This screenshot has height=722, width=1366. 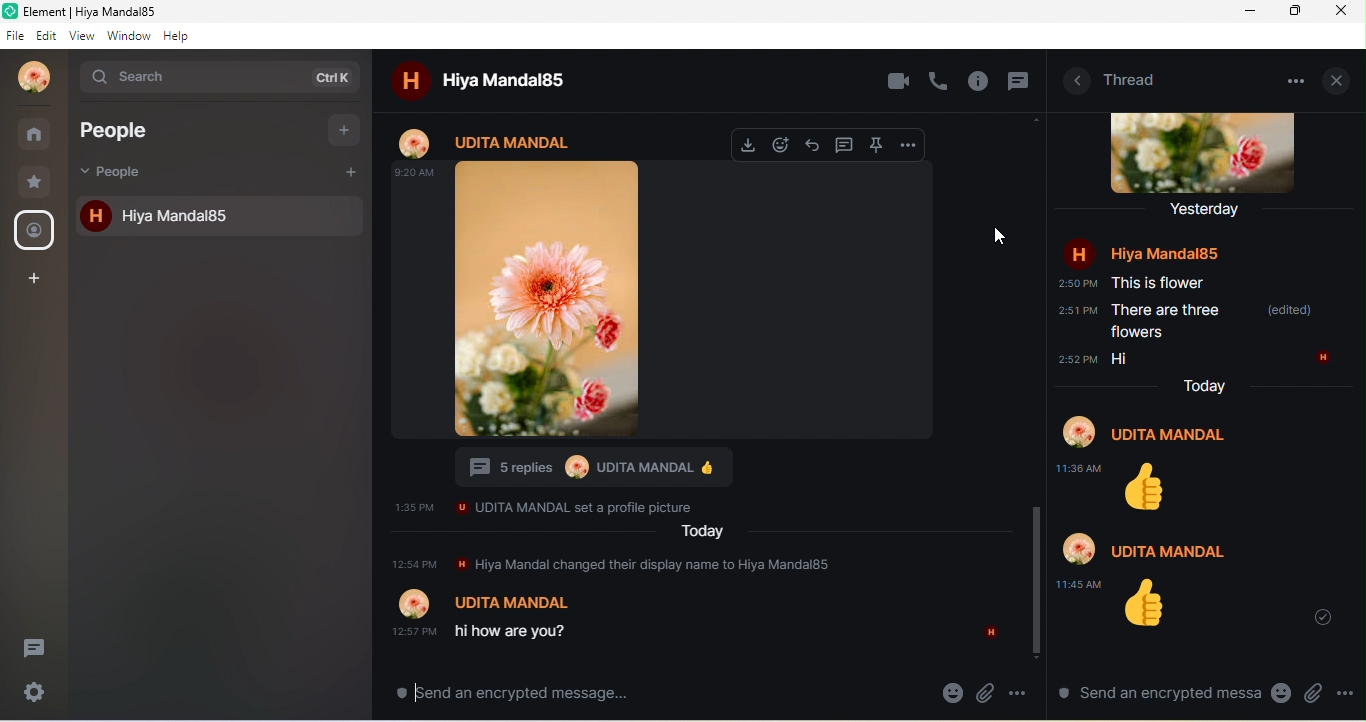 I want to click on 9:20 AM, so click(x=413, y=173).